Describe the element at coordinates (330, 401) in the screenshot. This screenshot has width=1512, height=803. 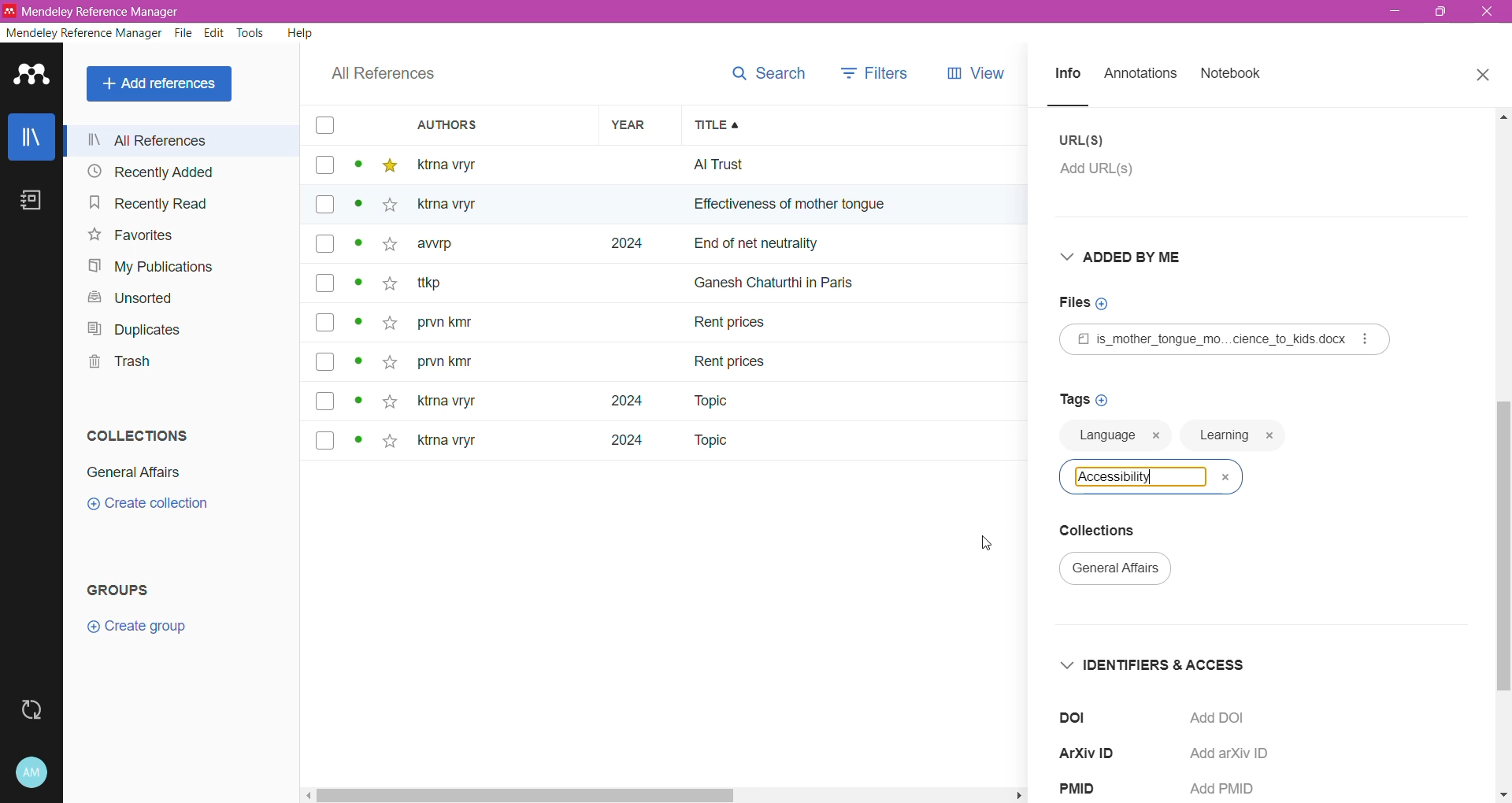
I see `box` at that location.